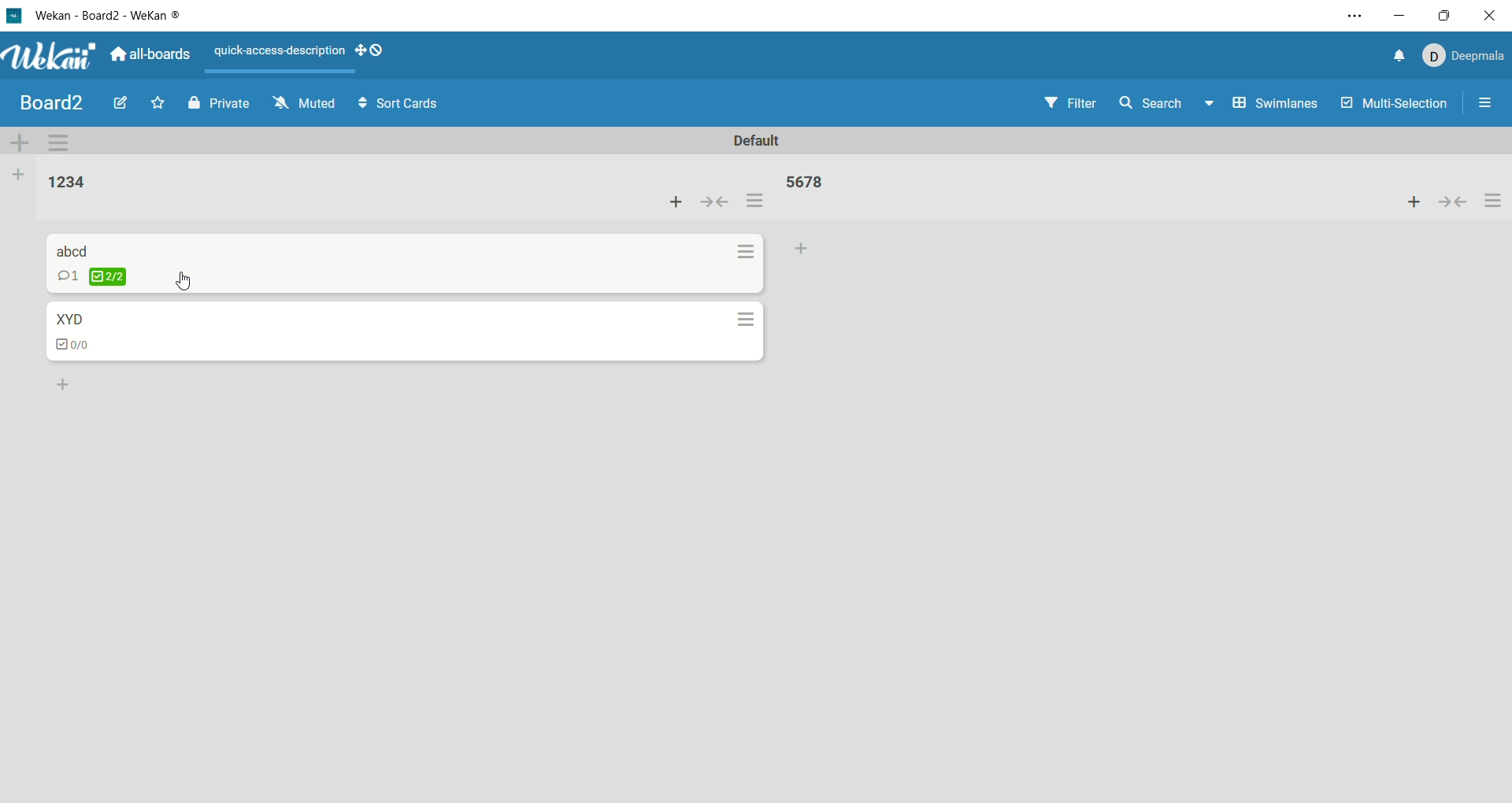  I want to click on options, so click(1487, 105).